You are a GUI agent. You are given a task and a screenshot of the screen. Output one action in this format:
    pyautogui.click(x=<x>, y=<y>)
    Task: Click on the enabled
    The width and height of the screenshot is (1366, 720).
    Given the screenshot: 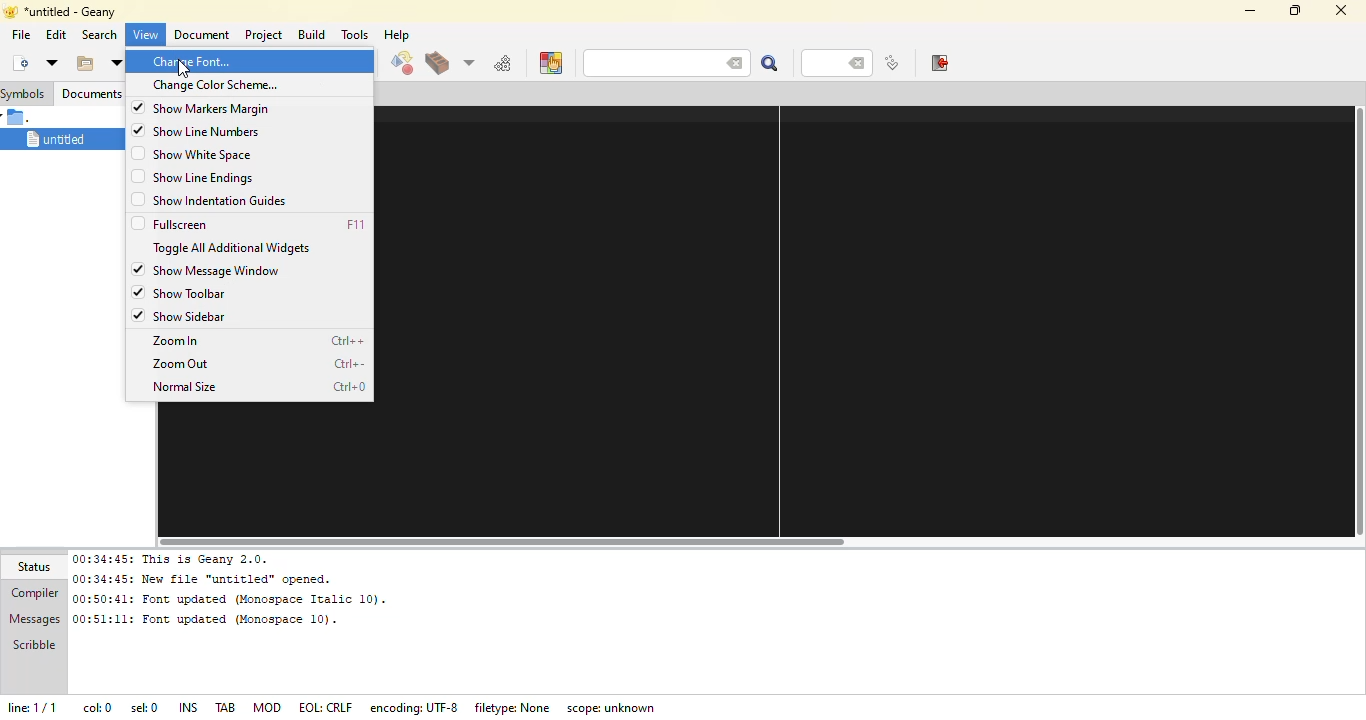 What is the action you would take?
    pyautogui.click(x=138, y=129)
    